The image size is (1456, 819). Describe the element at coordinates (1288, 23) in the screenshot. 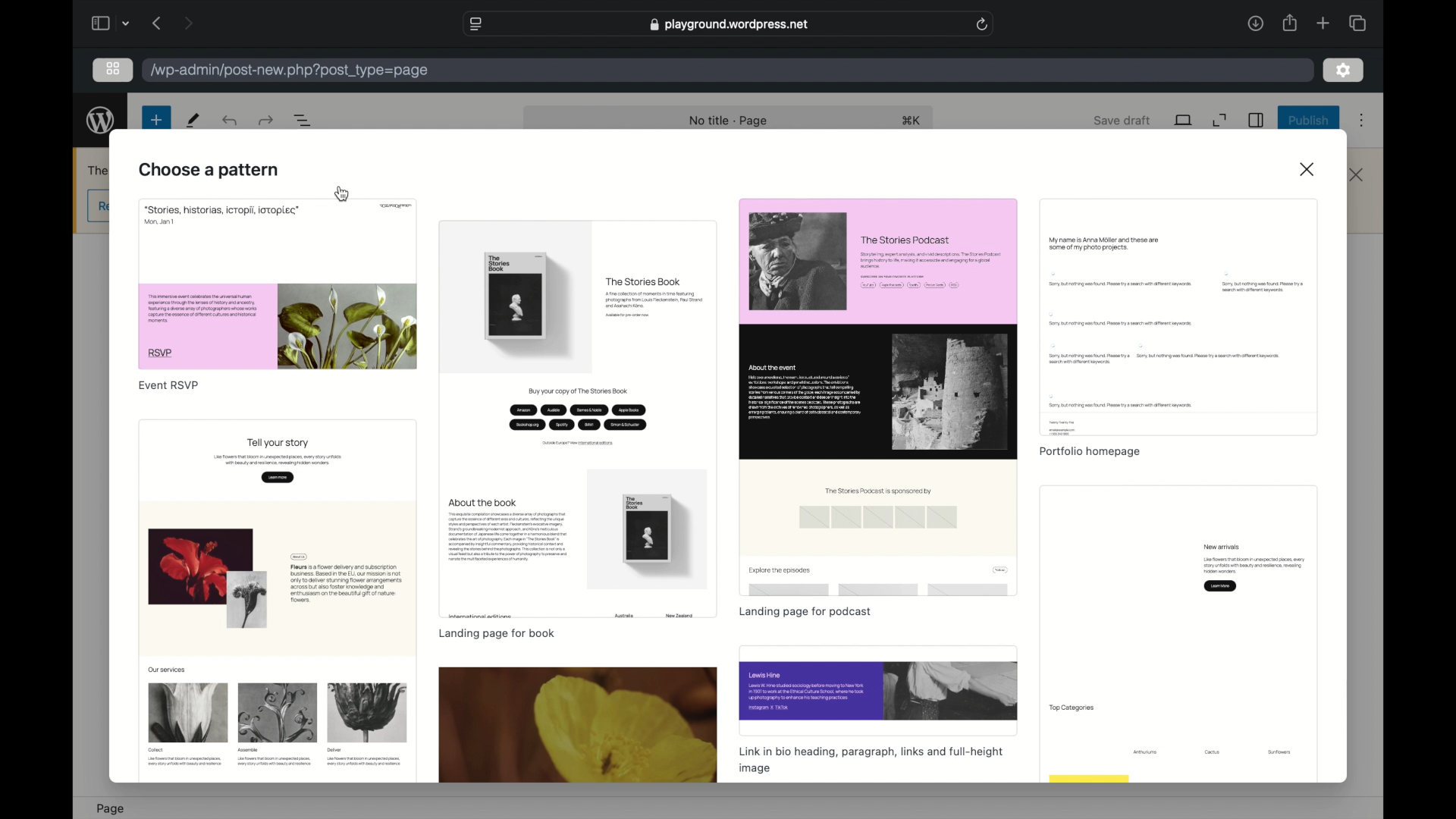

I see `share` at that location.